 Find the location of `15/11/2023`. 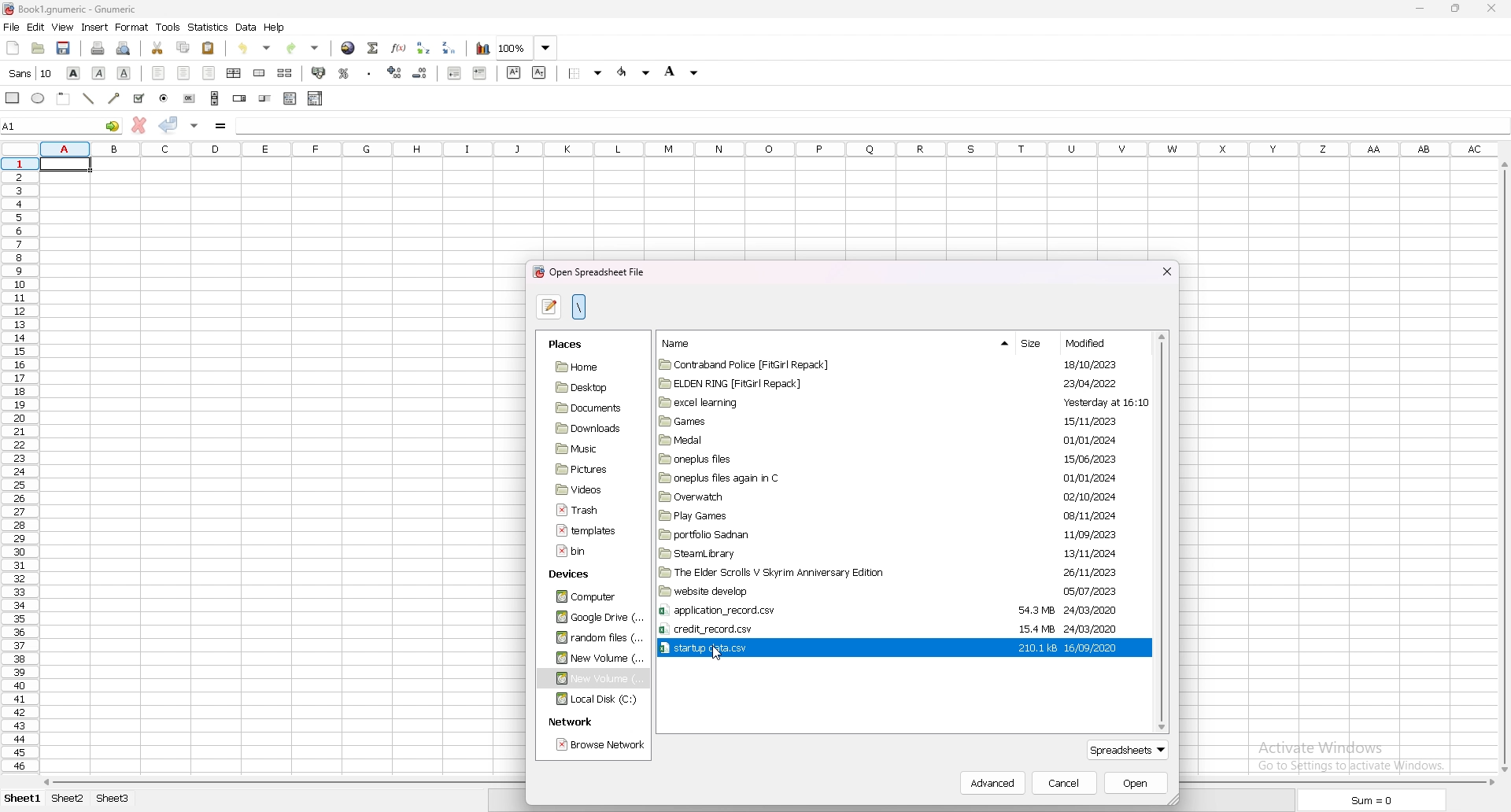

15/11/2023 is located at coordinates (1084, 421).